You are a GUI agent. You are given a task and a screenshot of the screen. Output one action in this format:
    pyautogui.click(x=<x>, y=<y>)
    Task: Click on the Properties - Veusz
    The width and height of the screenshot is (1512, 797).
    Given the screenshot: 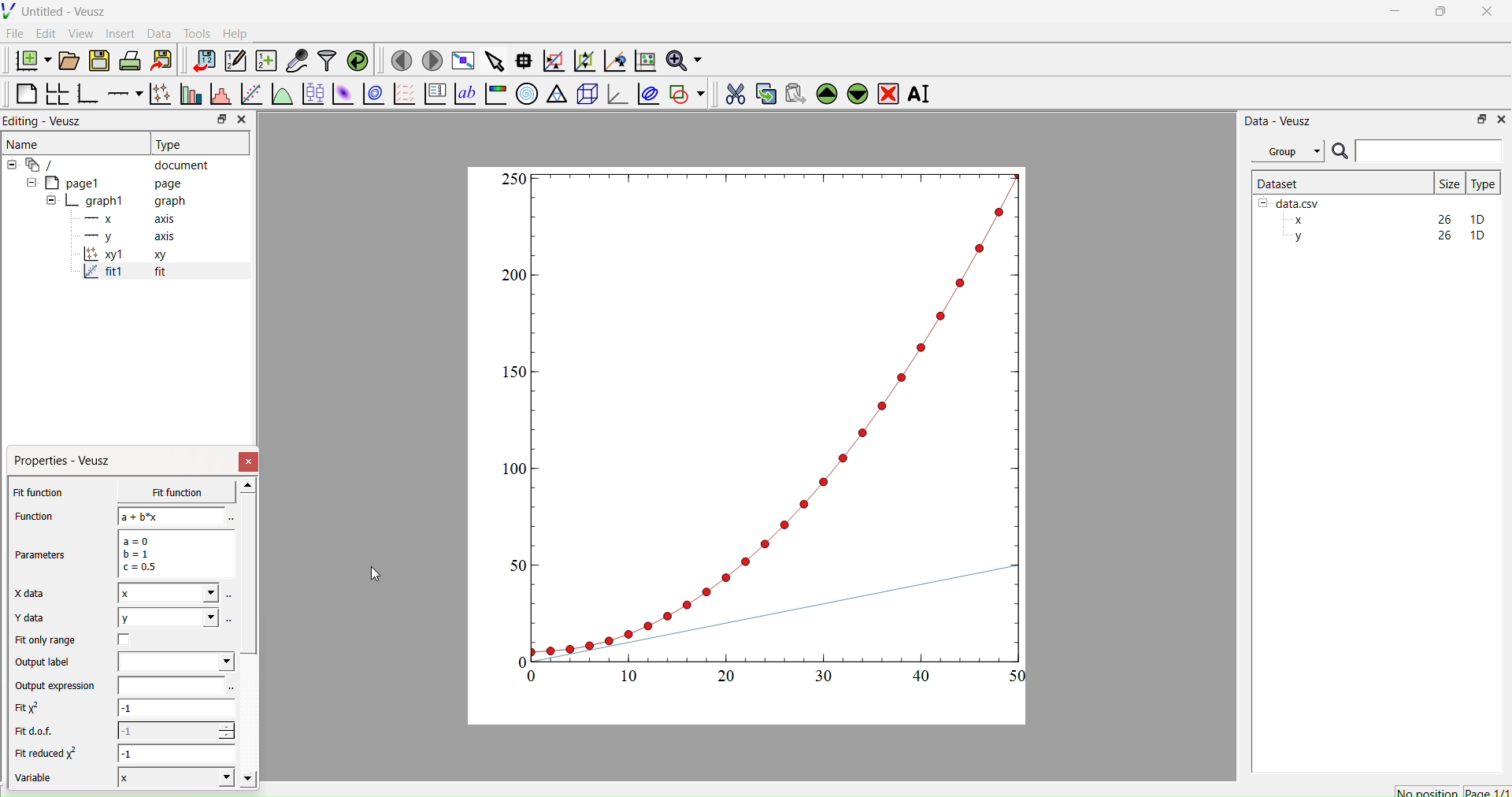 What is the action you would take?
    pyautogui.click(x=66, y=461)
    